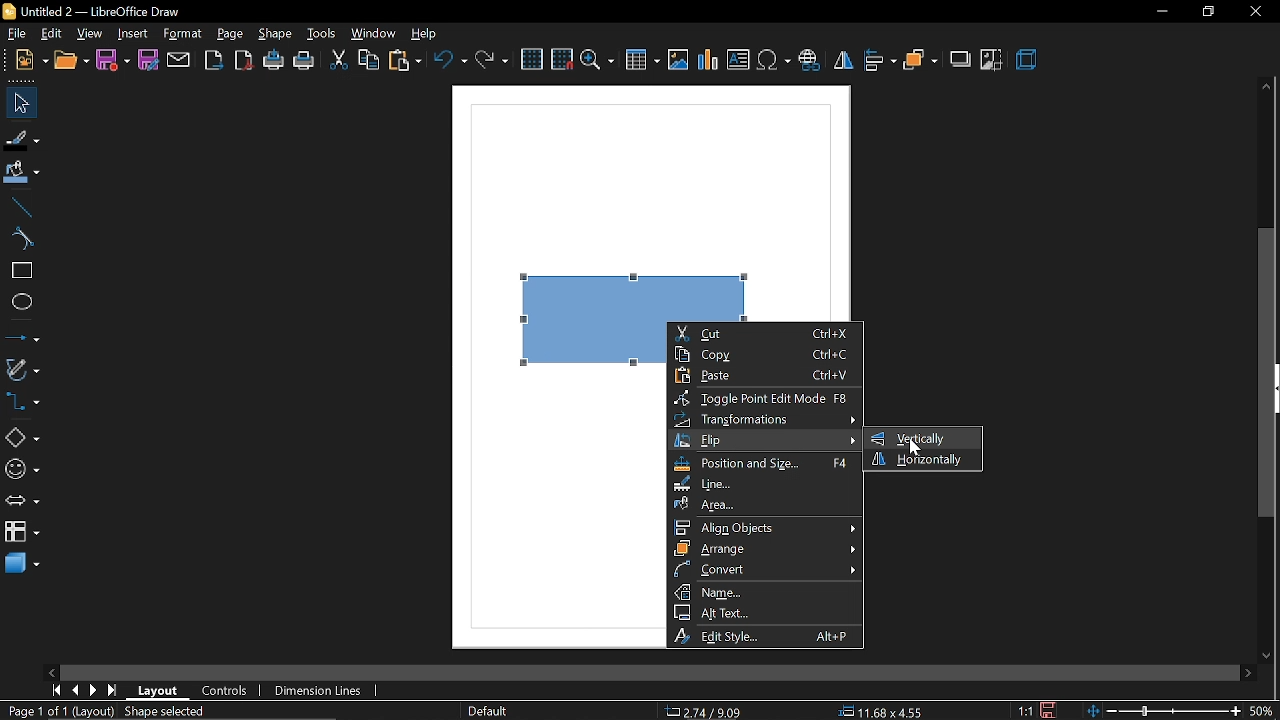  What do you see at coordinates (766, 333) in the screenshot?
I see `cut` at bounding box center [766, 333].